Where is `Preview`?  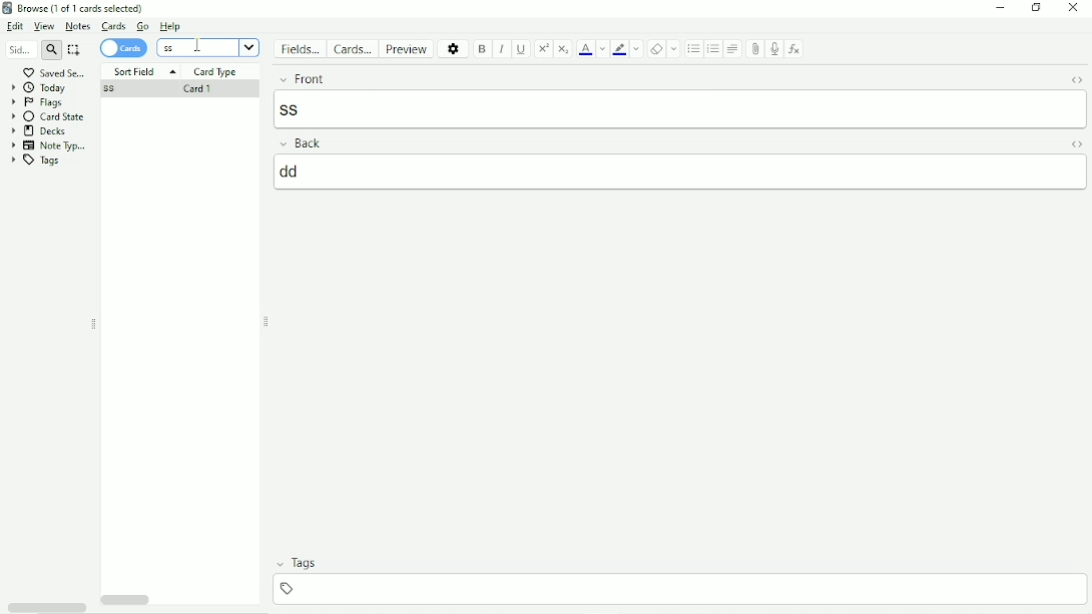 Preview is located at coordinates (409, 49).